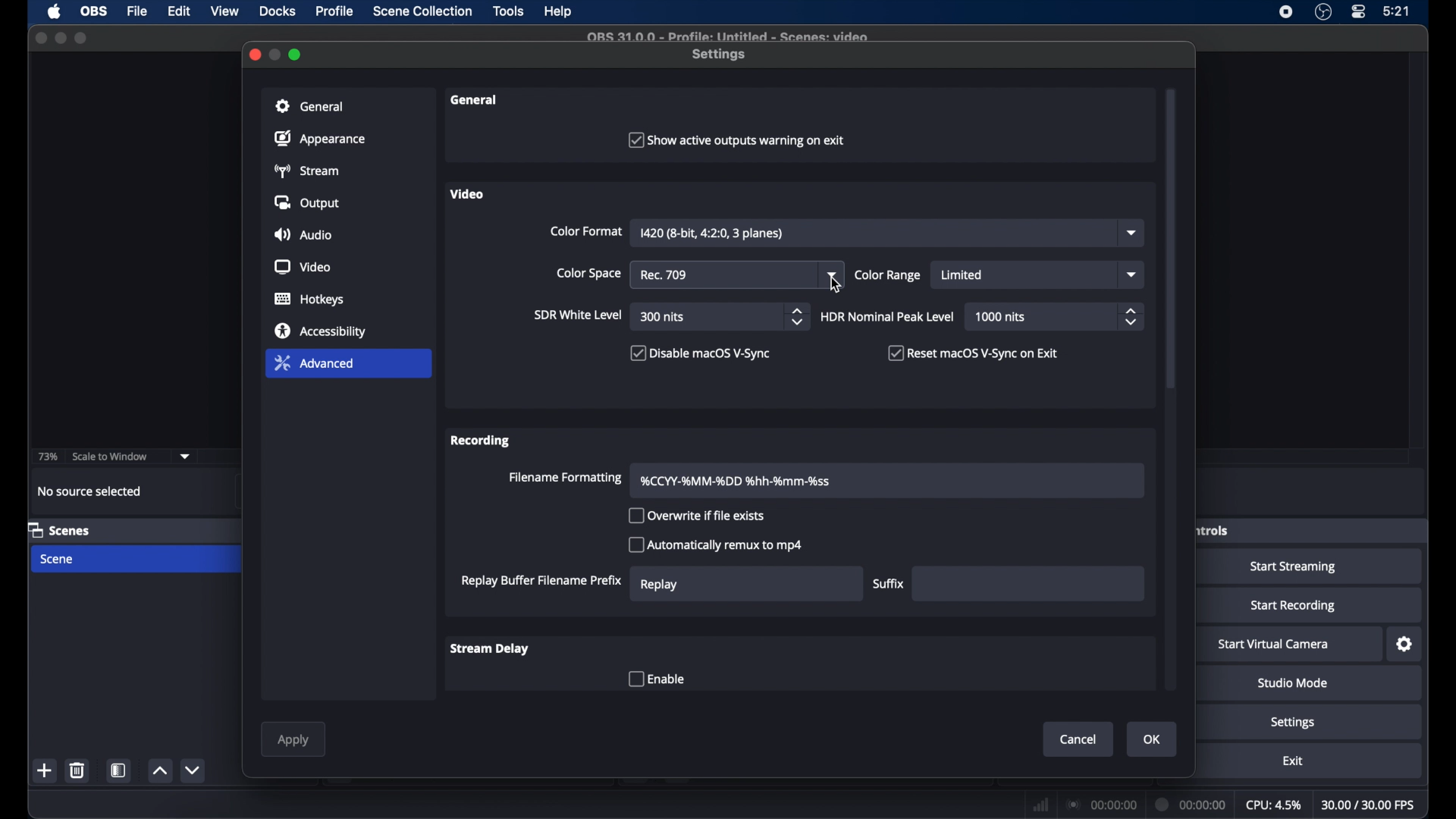  What do you see at coordinates (47, 457) in the screenshot?
I see `73%` at bounding box center [47, 457].